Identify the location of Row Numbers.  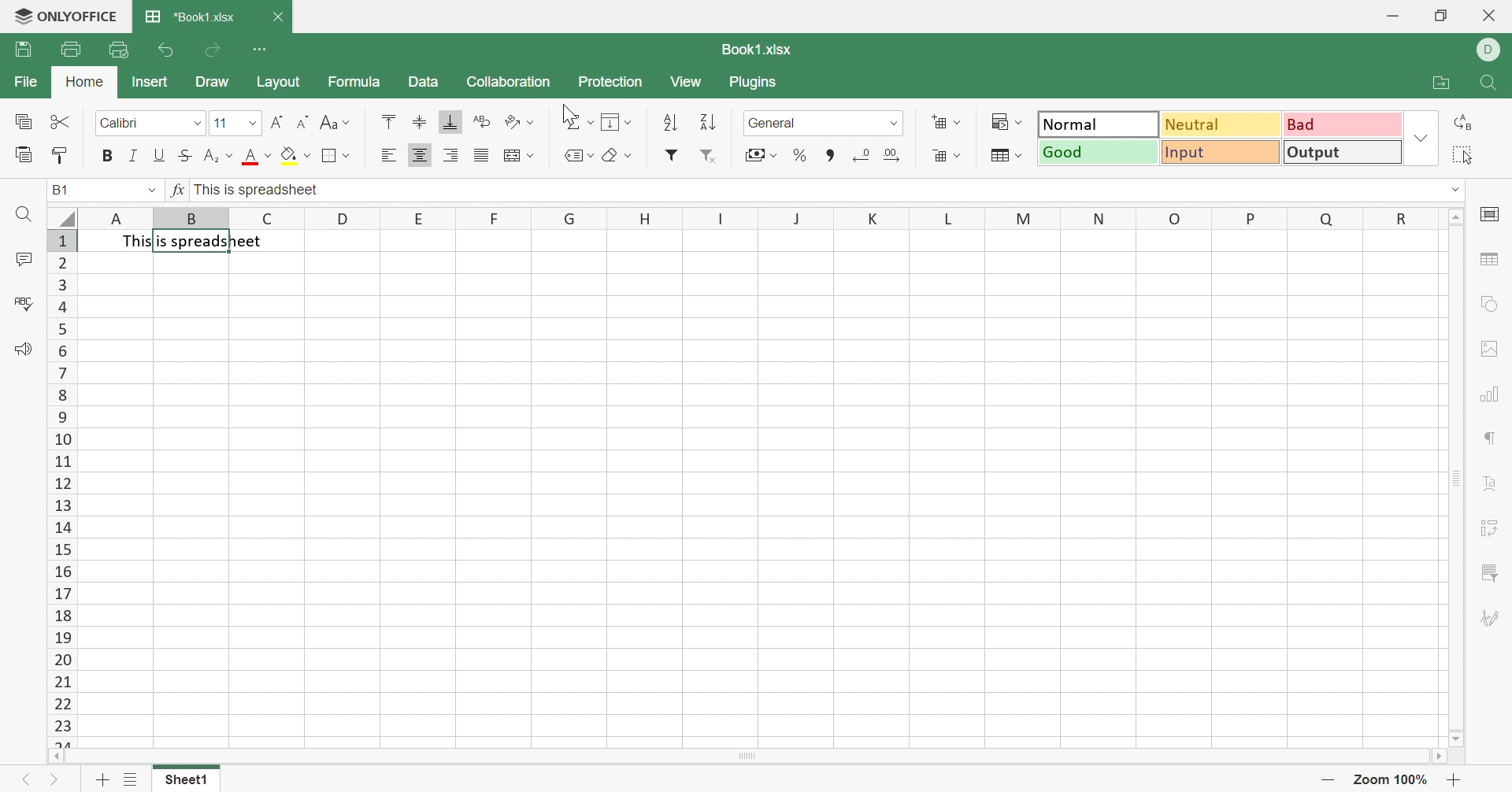
(61, 487).